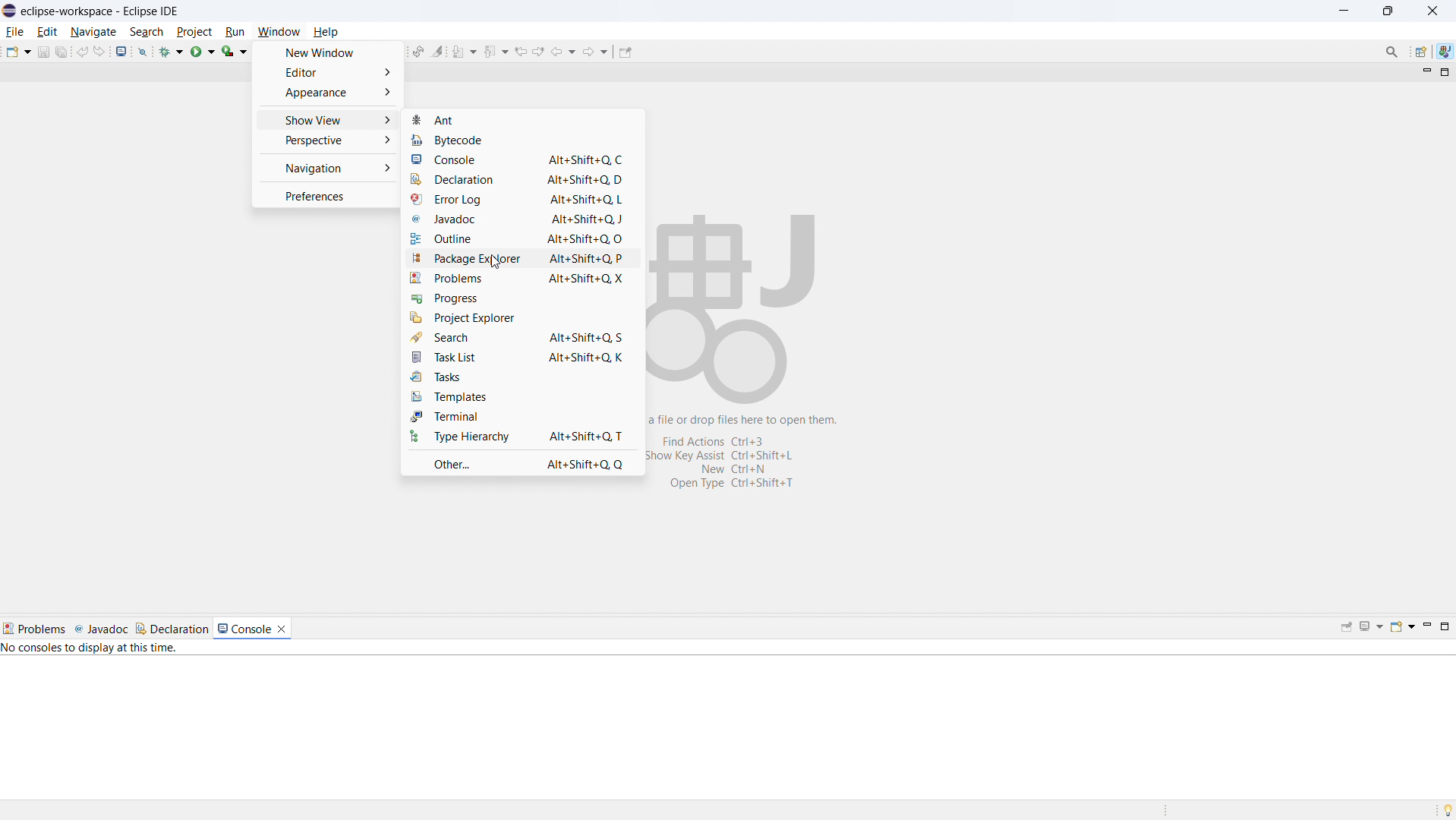  What do you see at coordinates (121, 51) in the screenshot?
I see `open console` at bounding box center [121, 51].